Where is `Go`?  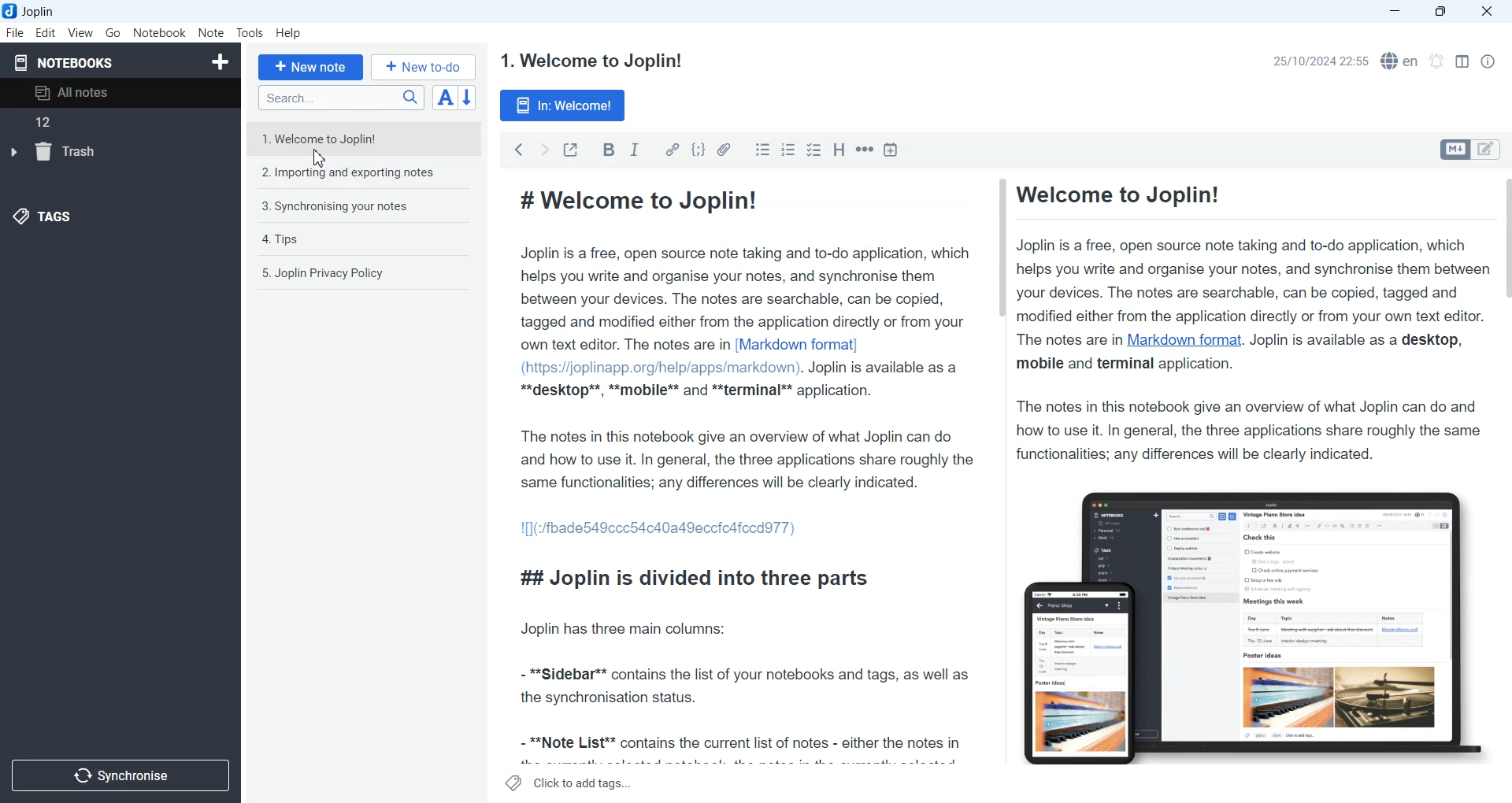
Go is located at coordinates (114, 32).